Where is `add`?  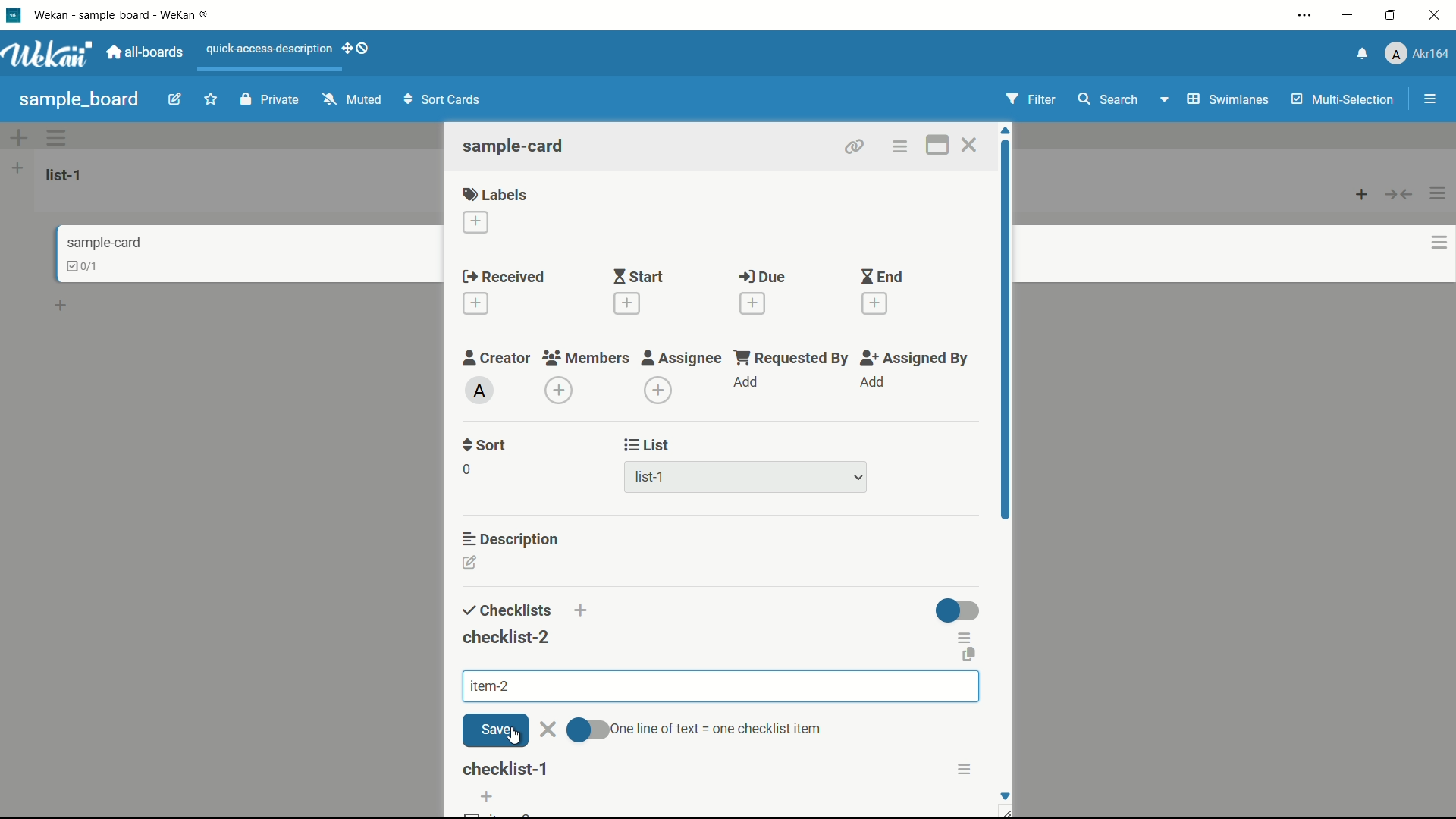 add is located at coordinates (585, 613).